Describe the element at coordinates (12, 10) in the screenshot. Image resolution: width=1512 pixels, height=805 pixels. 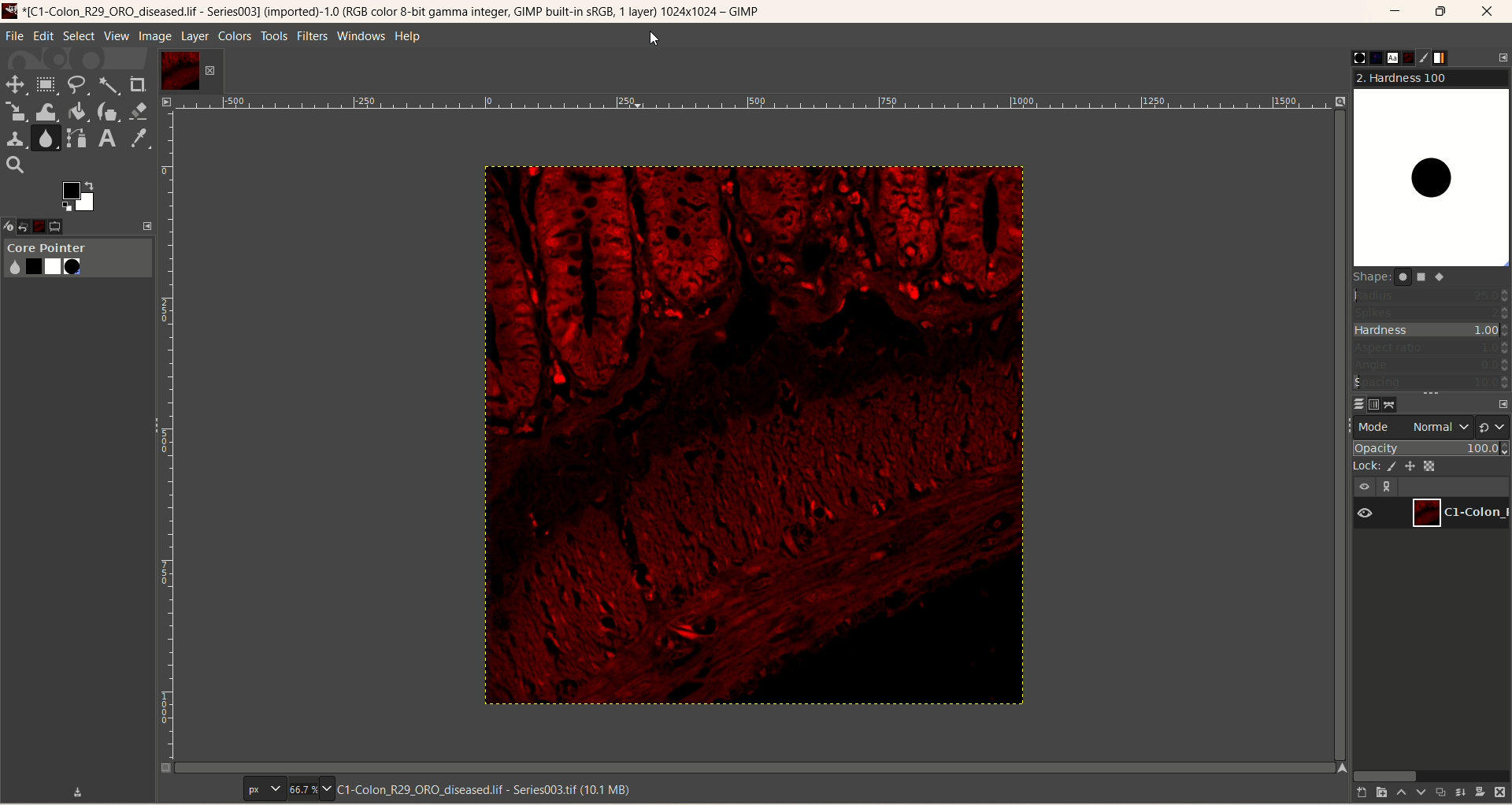
I see `logo` at that location.